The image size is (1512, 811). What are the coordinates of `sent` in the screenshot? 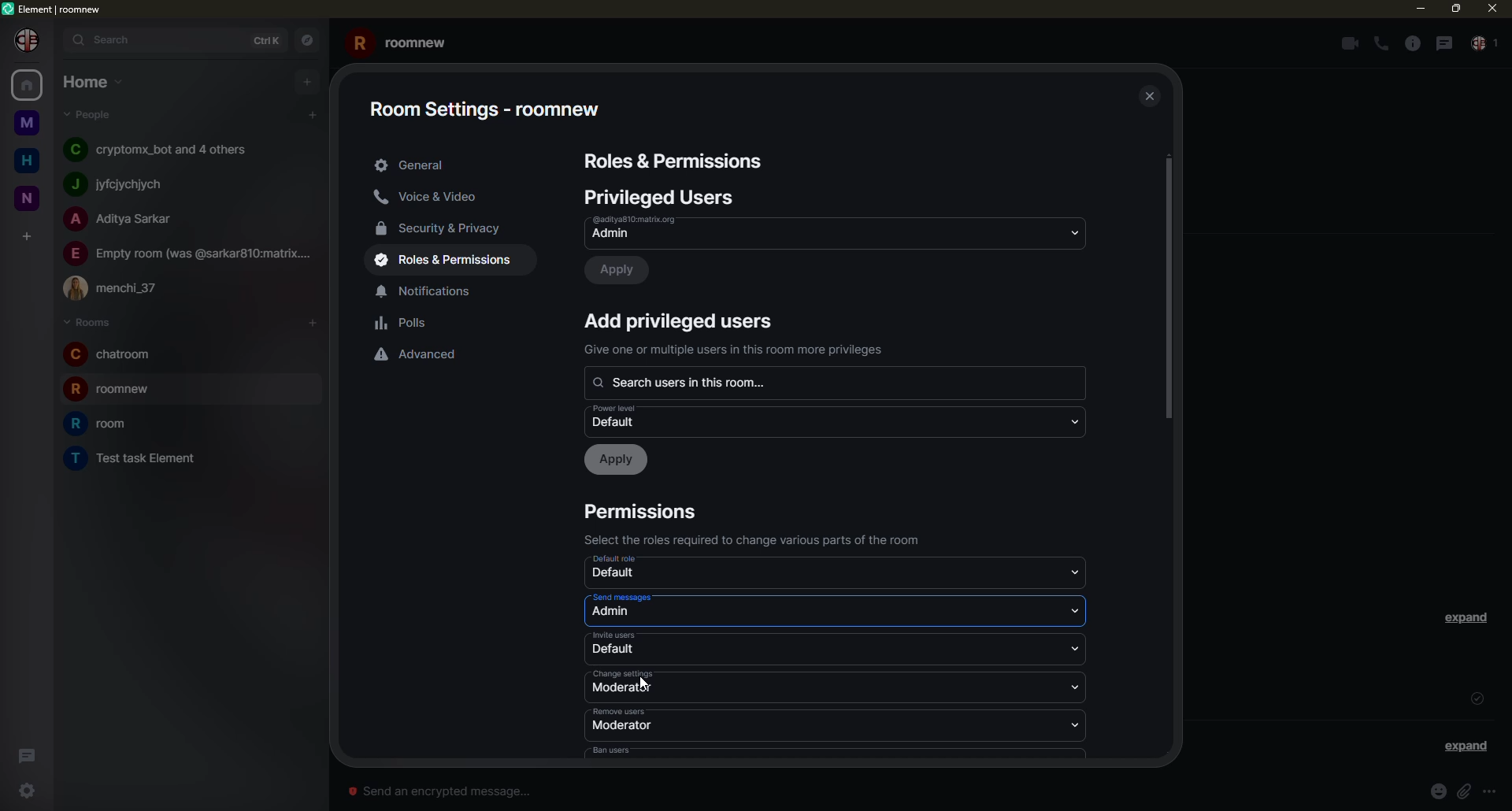 It's located at (1477, 698).